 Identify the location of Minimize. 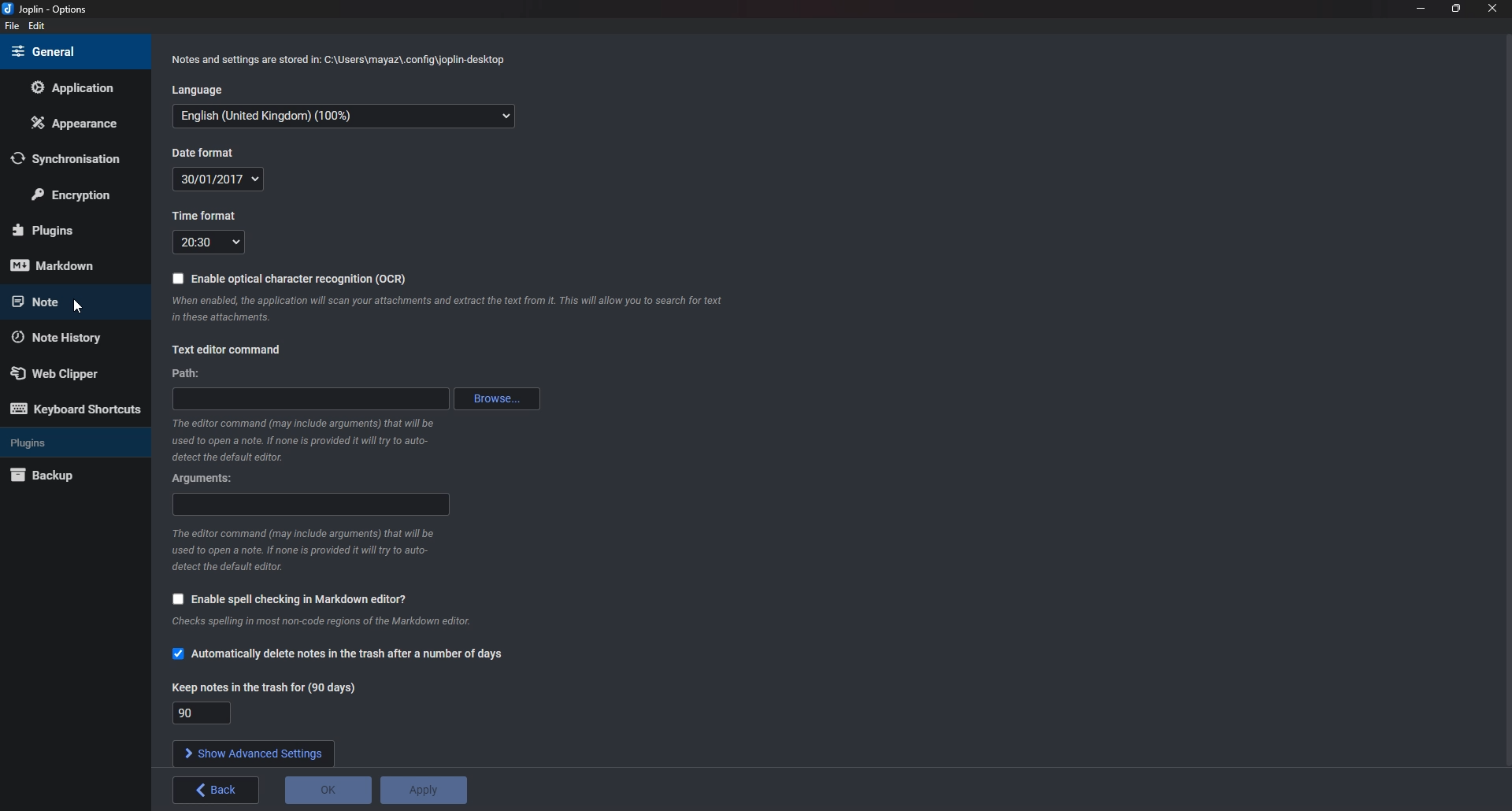
(1422, 8).